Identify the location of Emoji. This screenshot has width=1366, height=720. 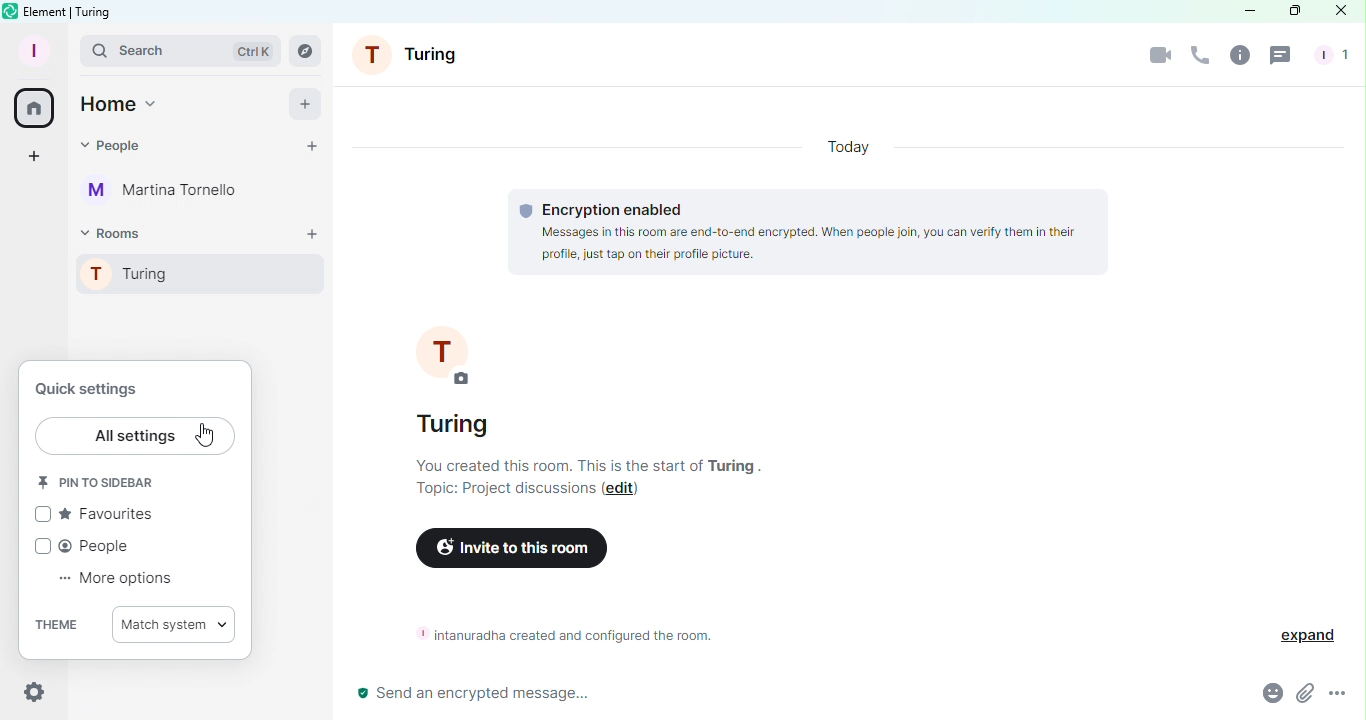
(1265, 694).